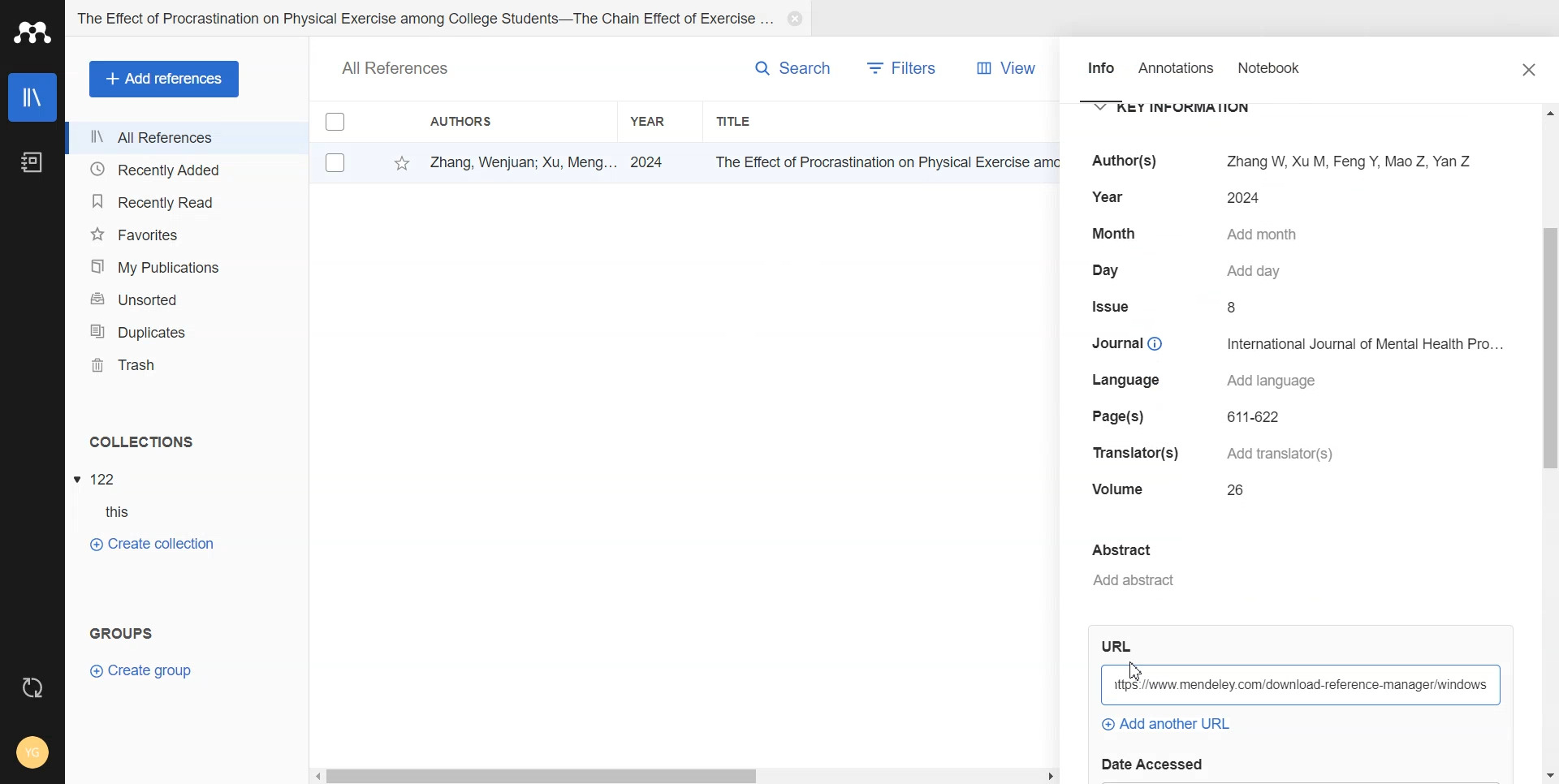 Image resolution: width=1559 pixels, height=784 pixels. What do you see at coordinates (118, 630) in the screenshot?
I see `Text` at bounding box center [118, 630].